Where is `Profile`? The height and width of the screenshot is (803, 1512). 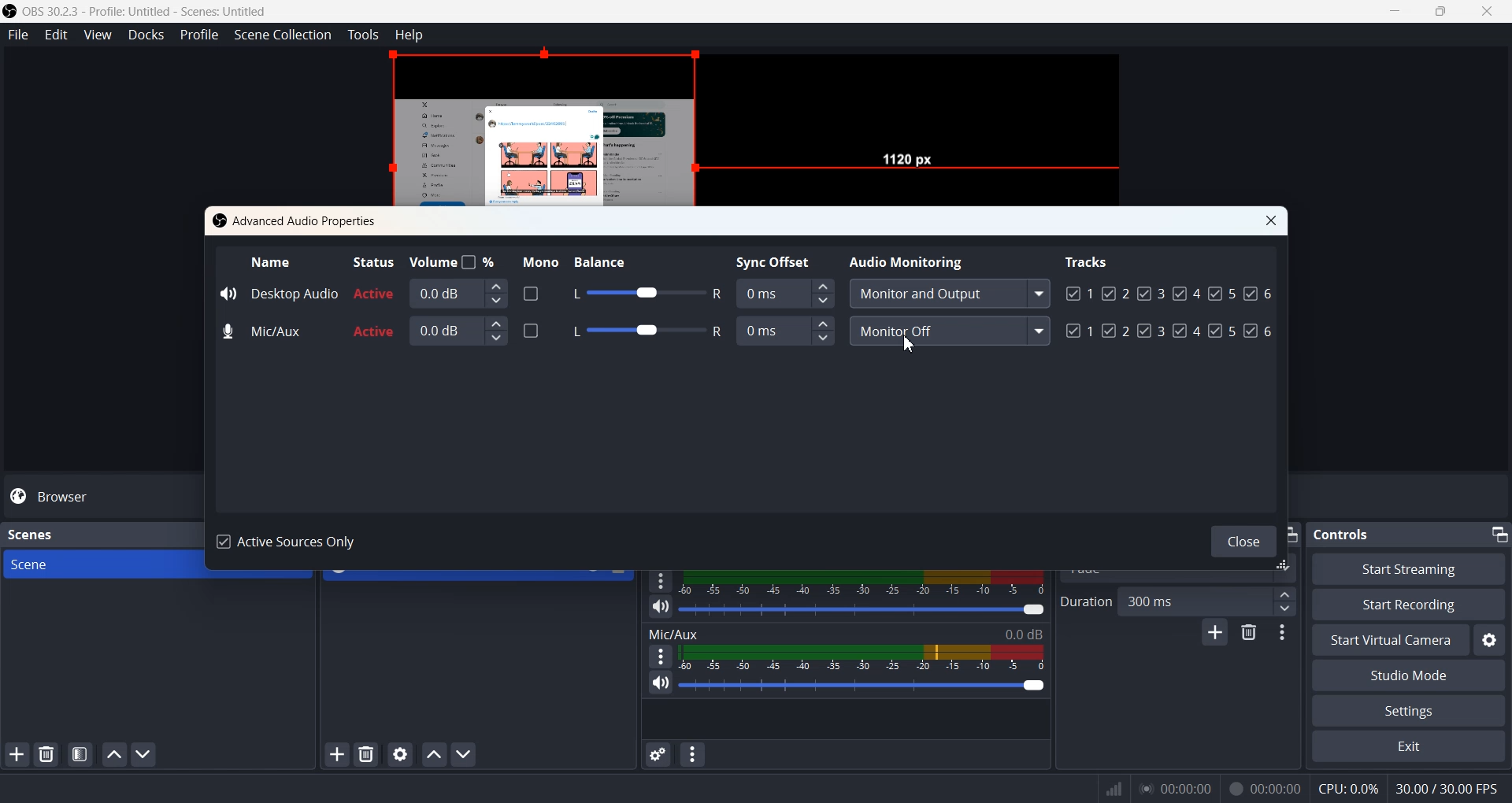 Profile is located at coordinates (200, 35).